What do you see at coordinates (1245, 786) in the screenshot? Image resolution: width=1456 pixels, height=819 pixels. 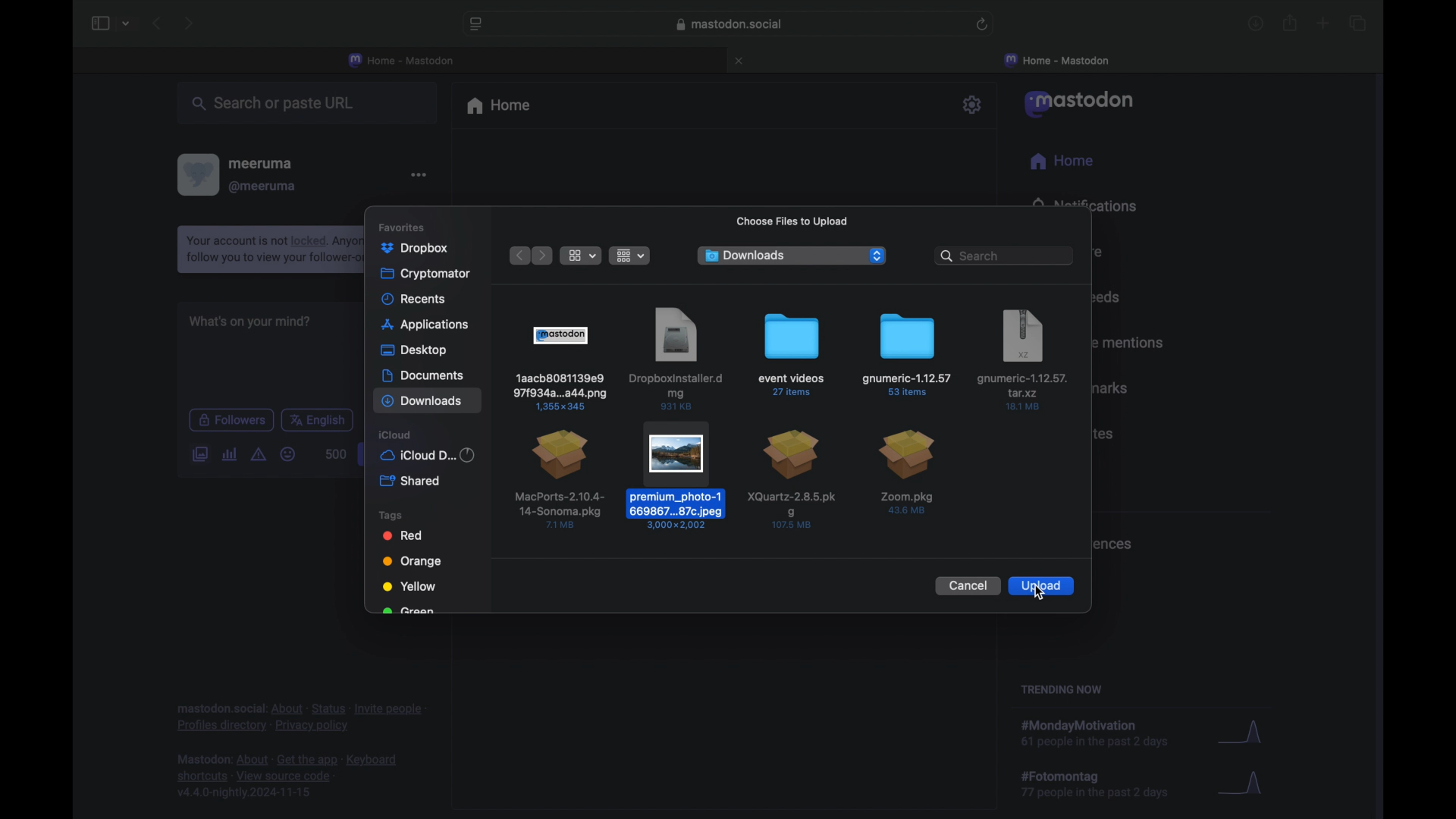 I see `graph` at bounding box center [1245, 786].